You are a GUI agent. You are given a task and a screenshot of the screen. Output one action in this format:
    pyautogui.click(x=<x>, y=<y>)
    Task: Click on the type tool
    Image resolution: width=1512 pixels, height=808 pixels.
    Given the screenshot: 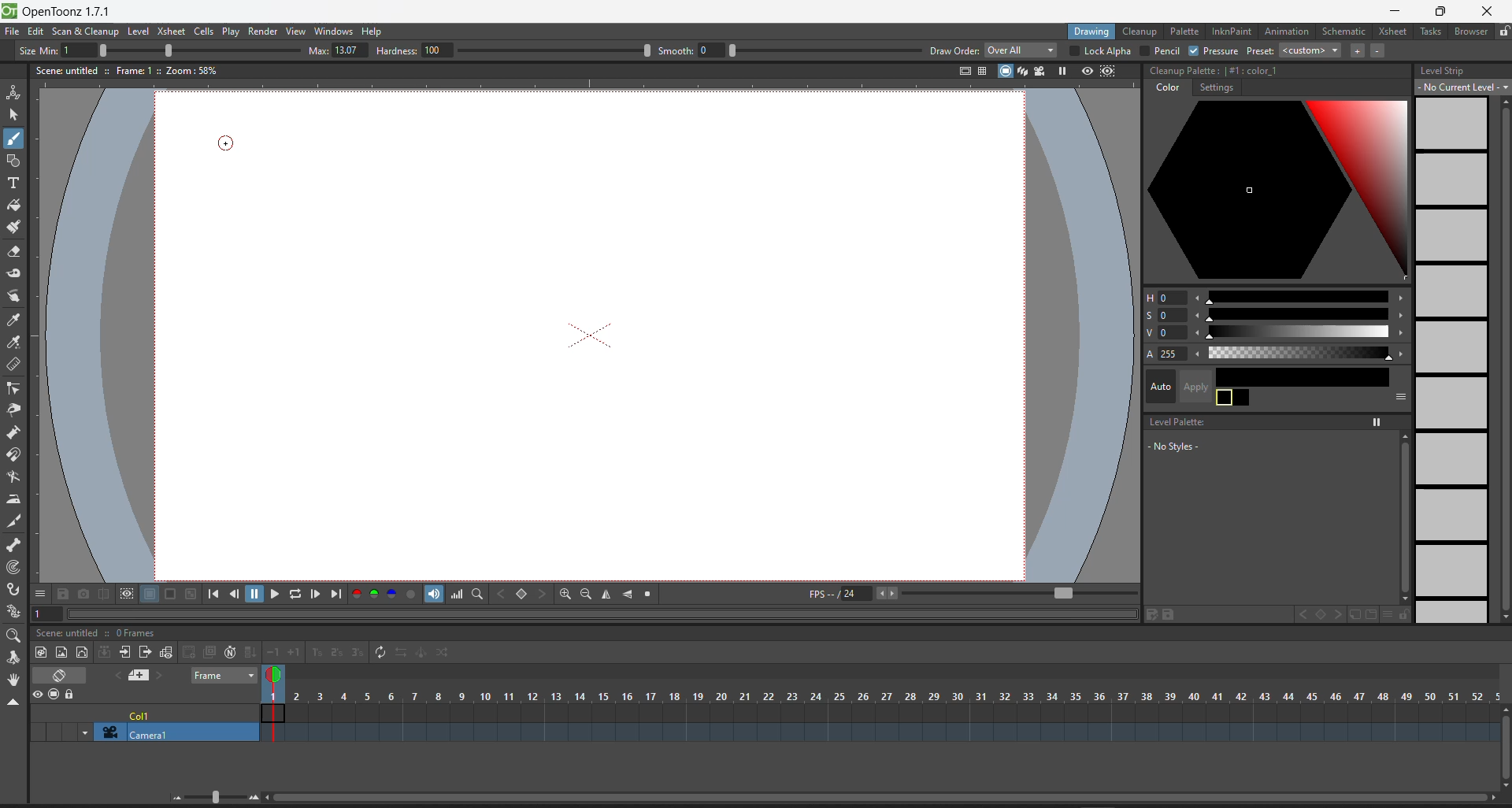 What is the action you would take?
    pyautogui.click(x=18, y=183)
    